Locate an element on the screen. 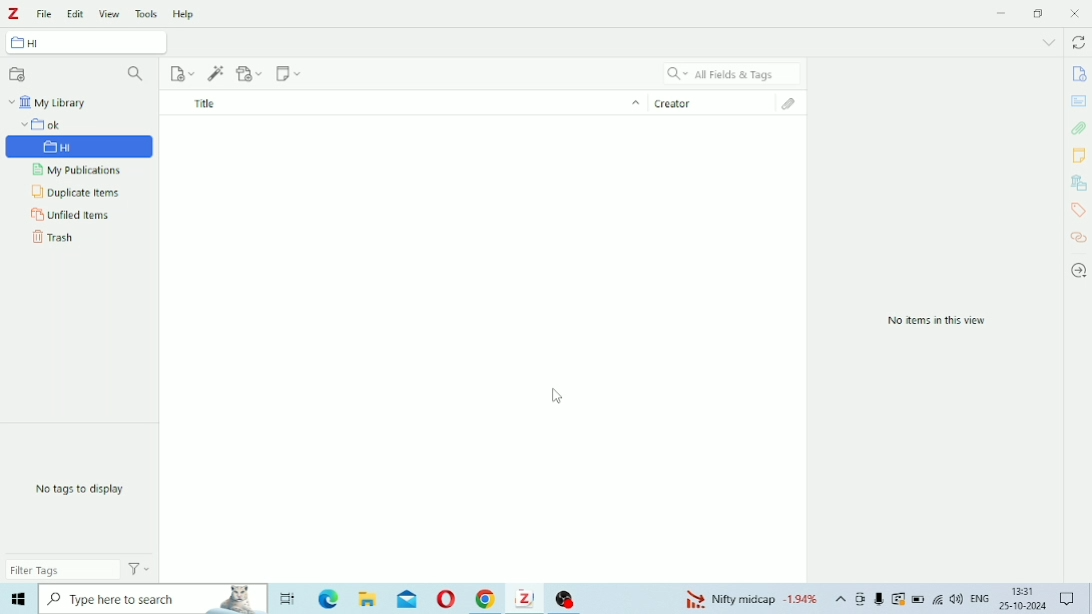  Microsoft Edge is located at coordinates (328, 598).